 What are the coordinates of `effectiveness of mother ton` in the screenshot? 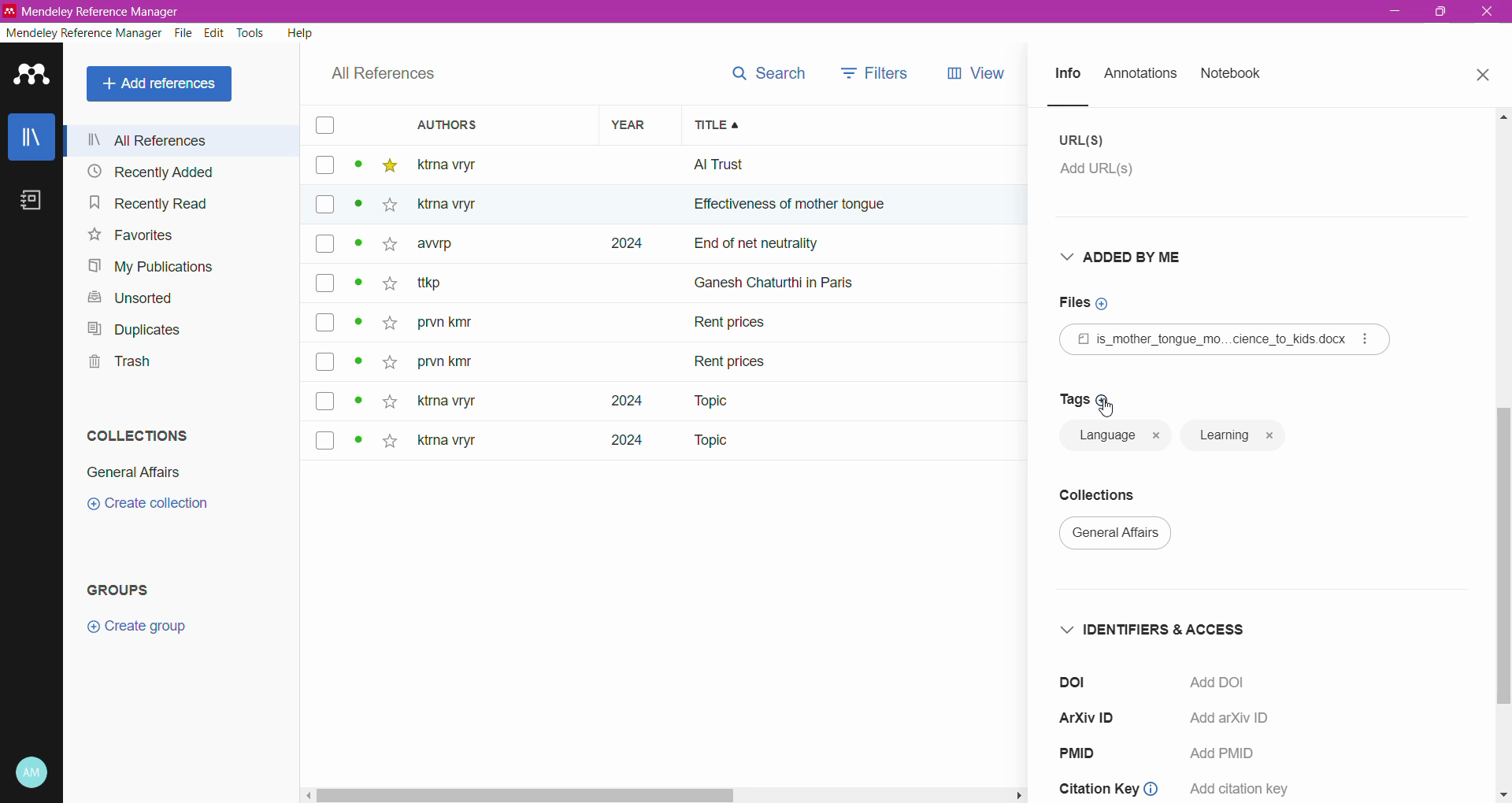 It's located at (770, 208).